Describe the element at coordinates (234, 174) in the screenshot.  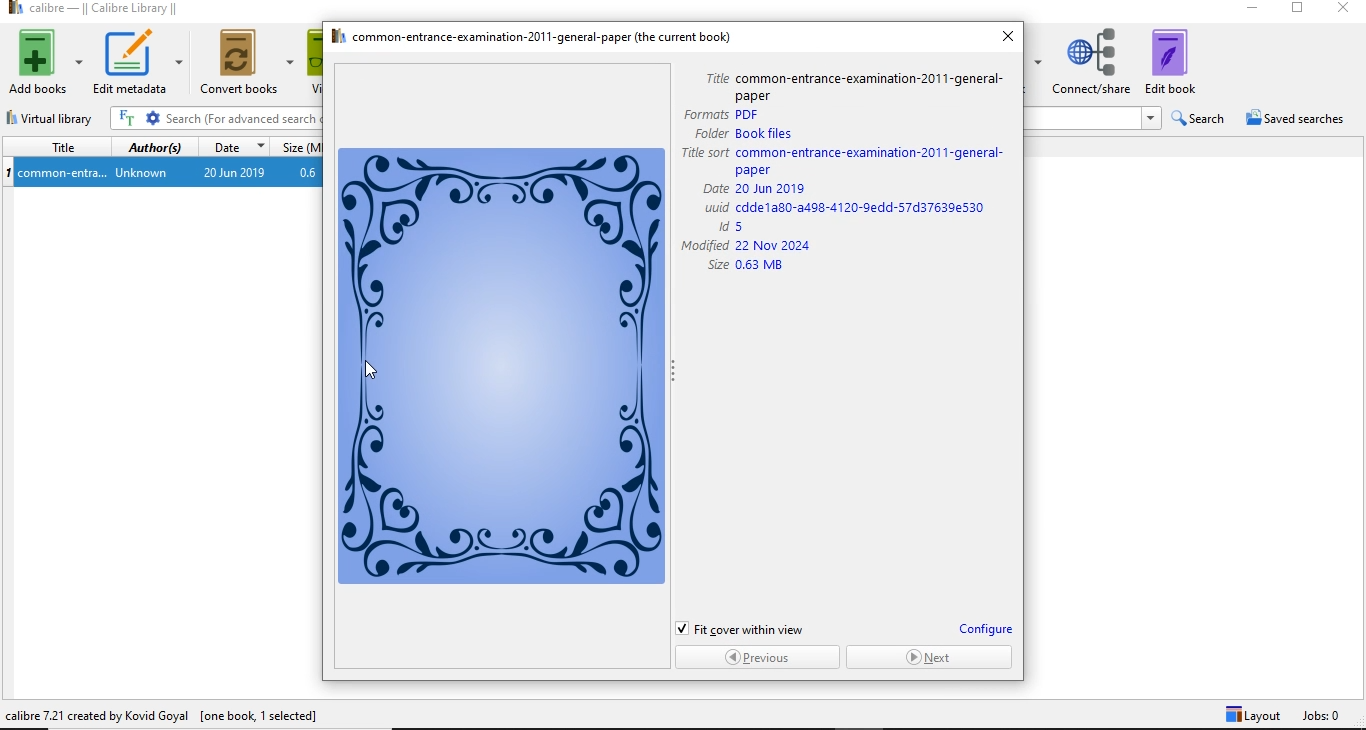
I see `20 Jun 2019` at that location.